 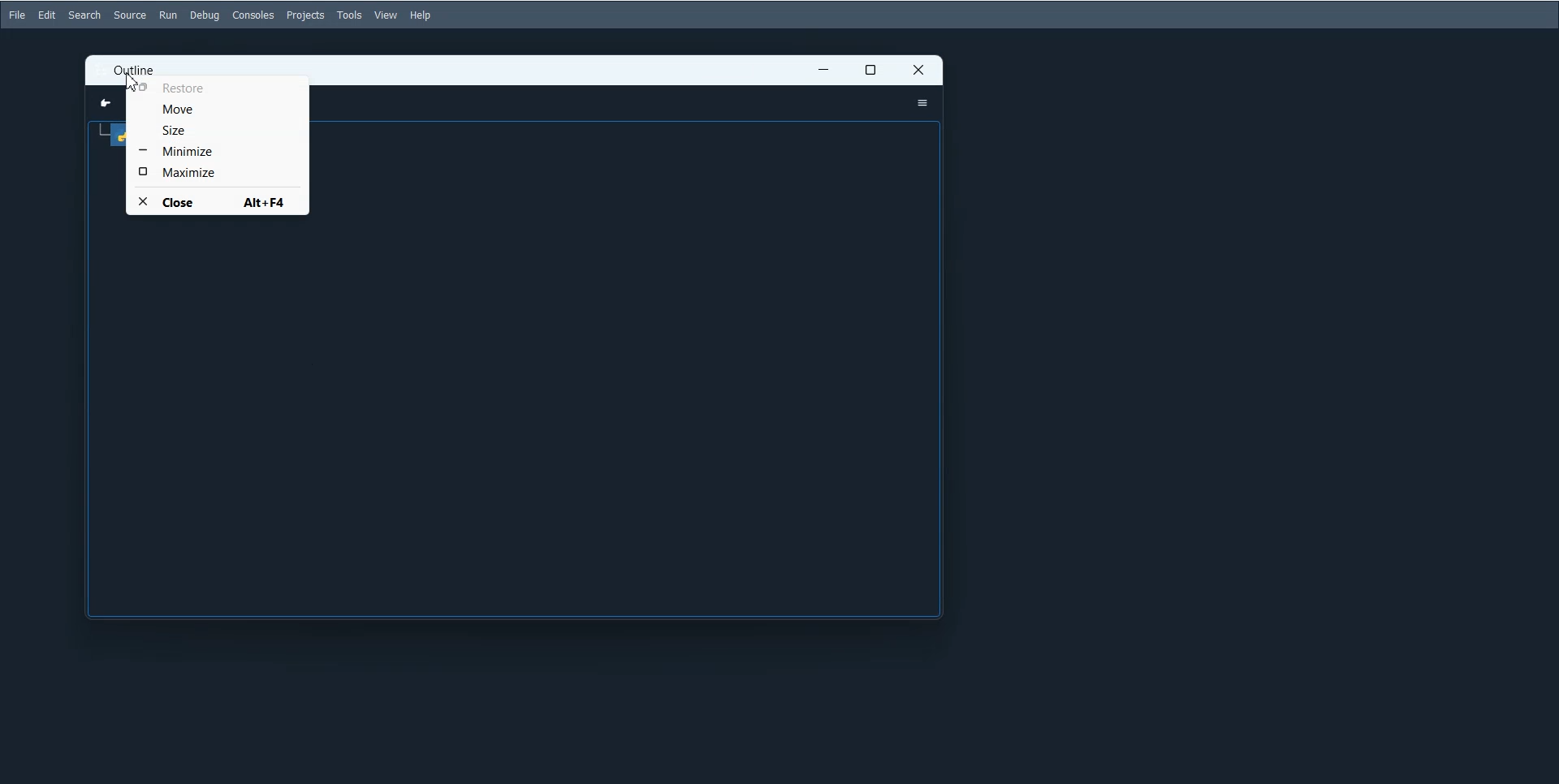 I want to click on Close, so click(x=919, y=70).